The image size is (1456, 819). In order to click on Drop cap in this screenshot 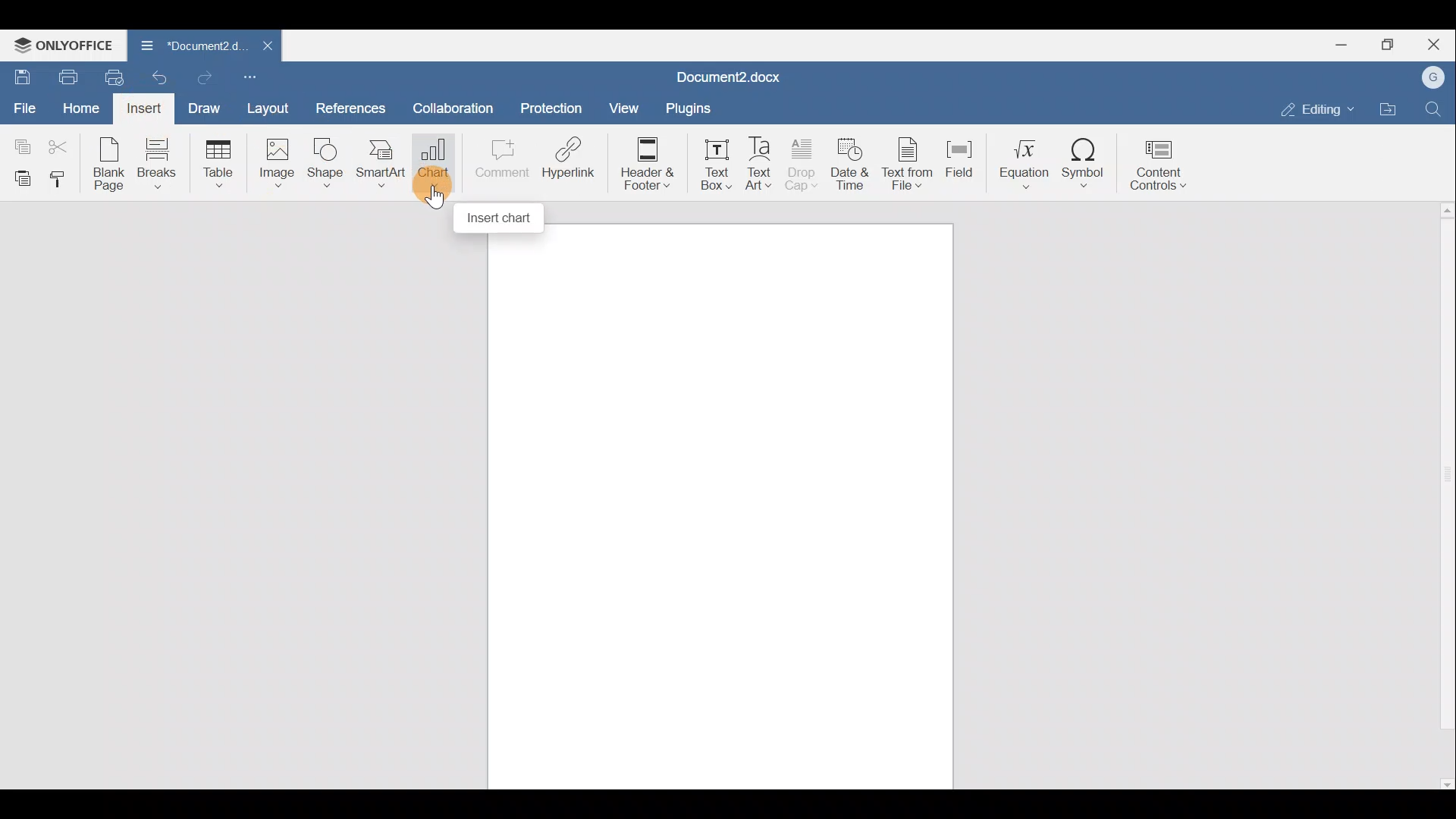, I will do `click(802, 162)`.